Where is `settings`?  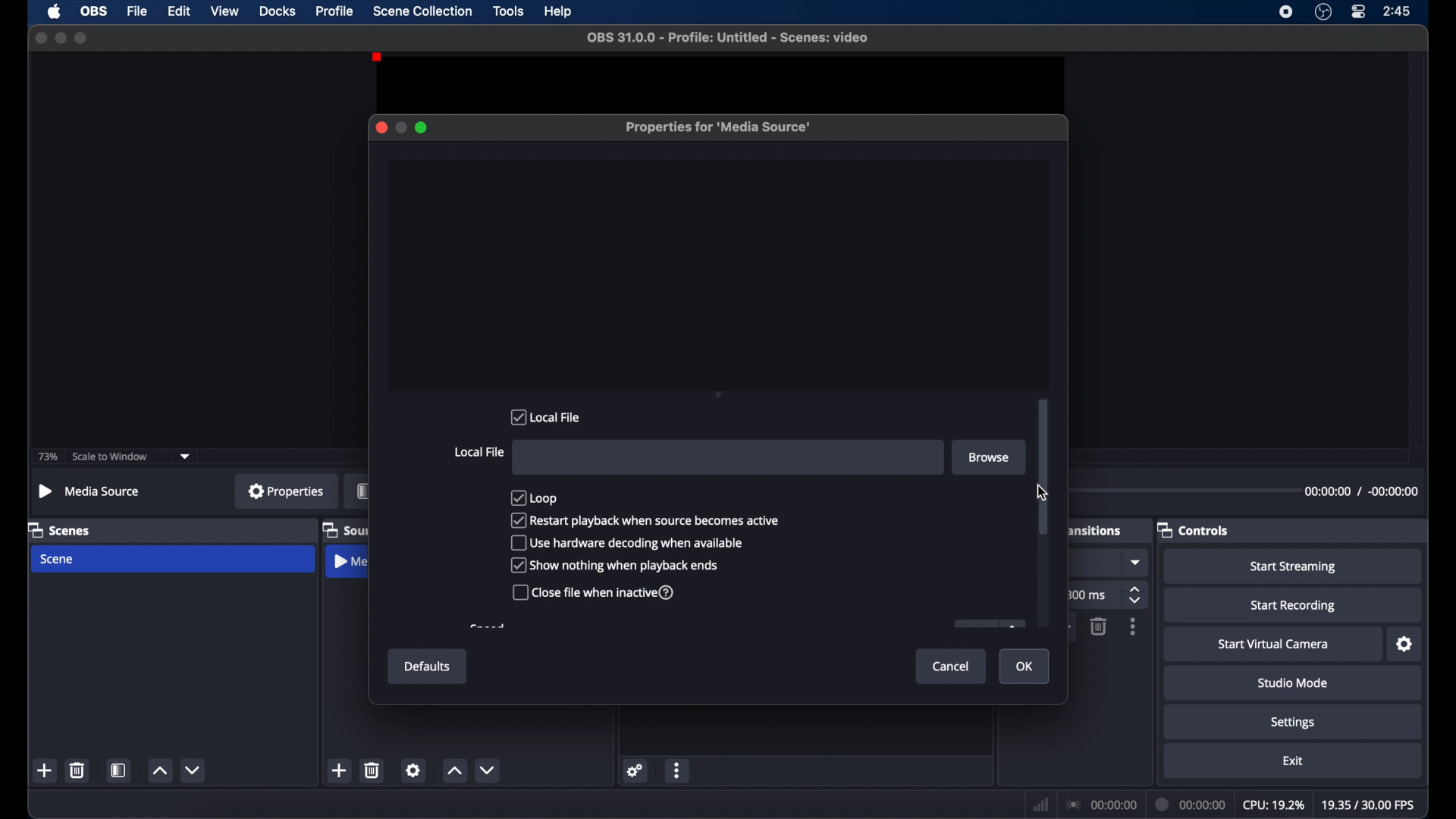
settings is located at coordinates (1293, 722).